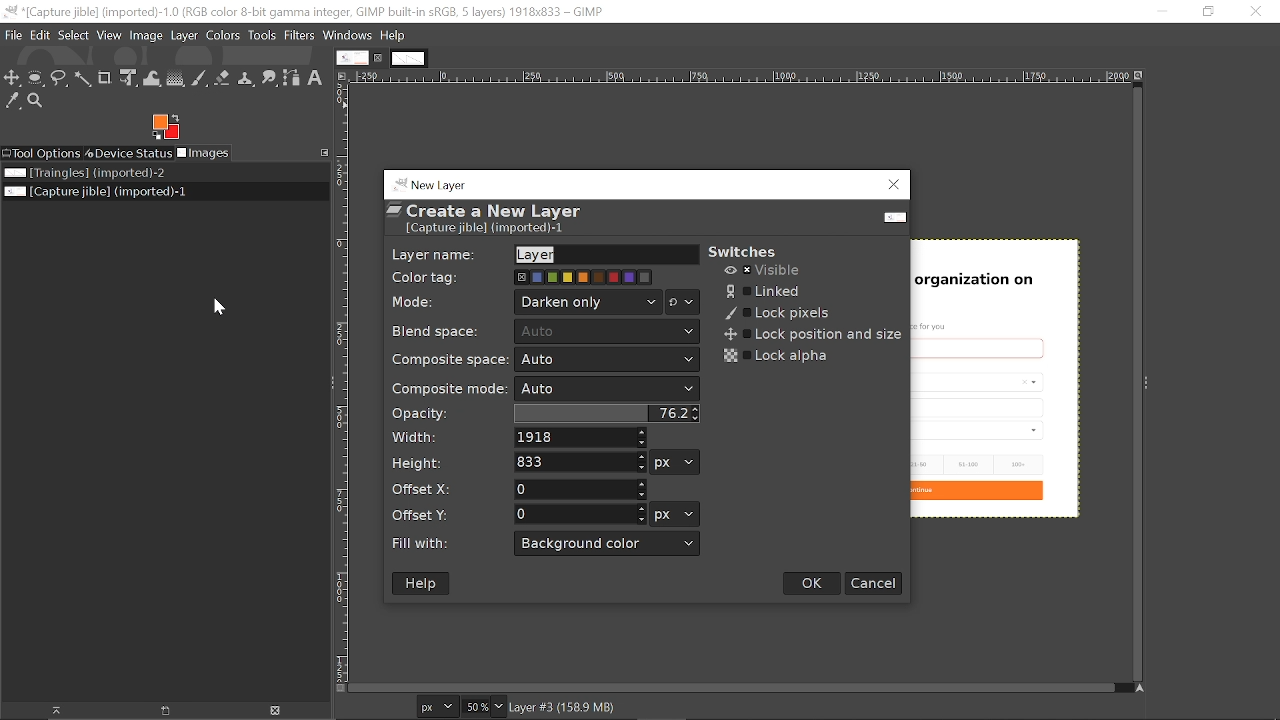 This screenshot has height=720, width=1280. Describe the element at coordinates (449, 389) in the screenshot. I see `‘Composite mode:` at that location.